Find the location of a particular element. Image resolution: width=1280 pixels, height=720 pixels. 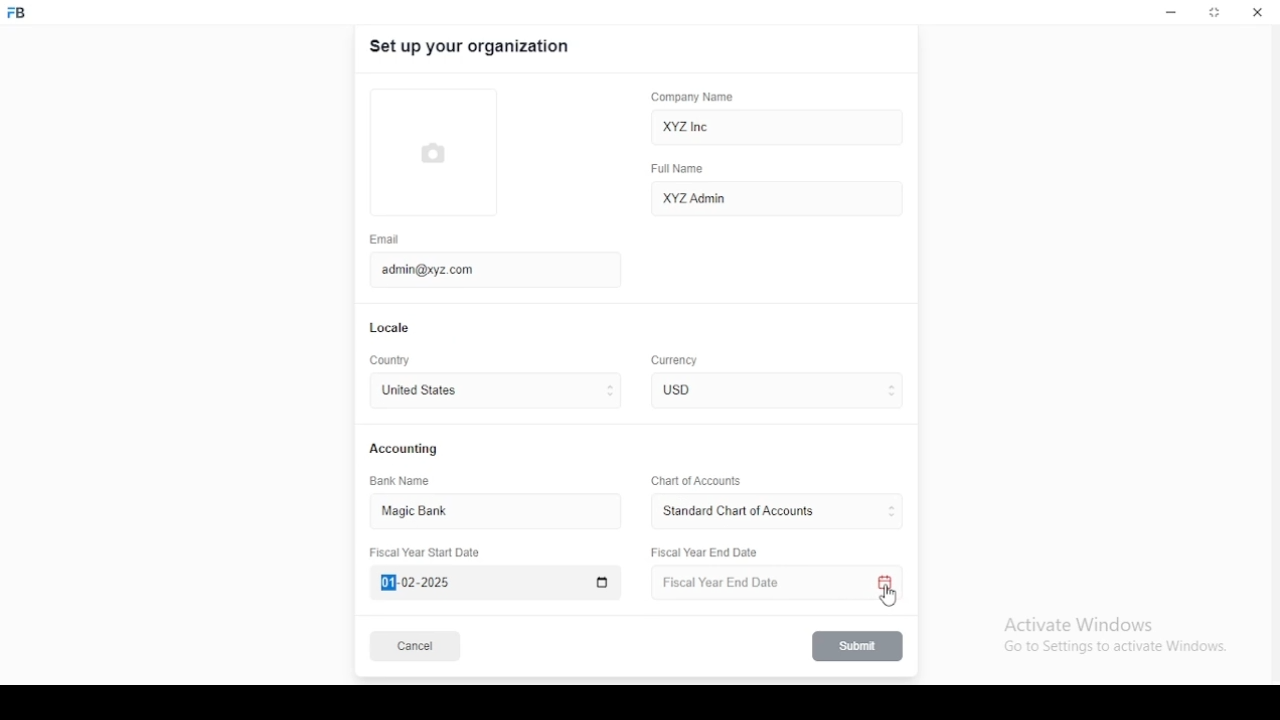

close window is located at coordinates (1255, 12).